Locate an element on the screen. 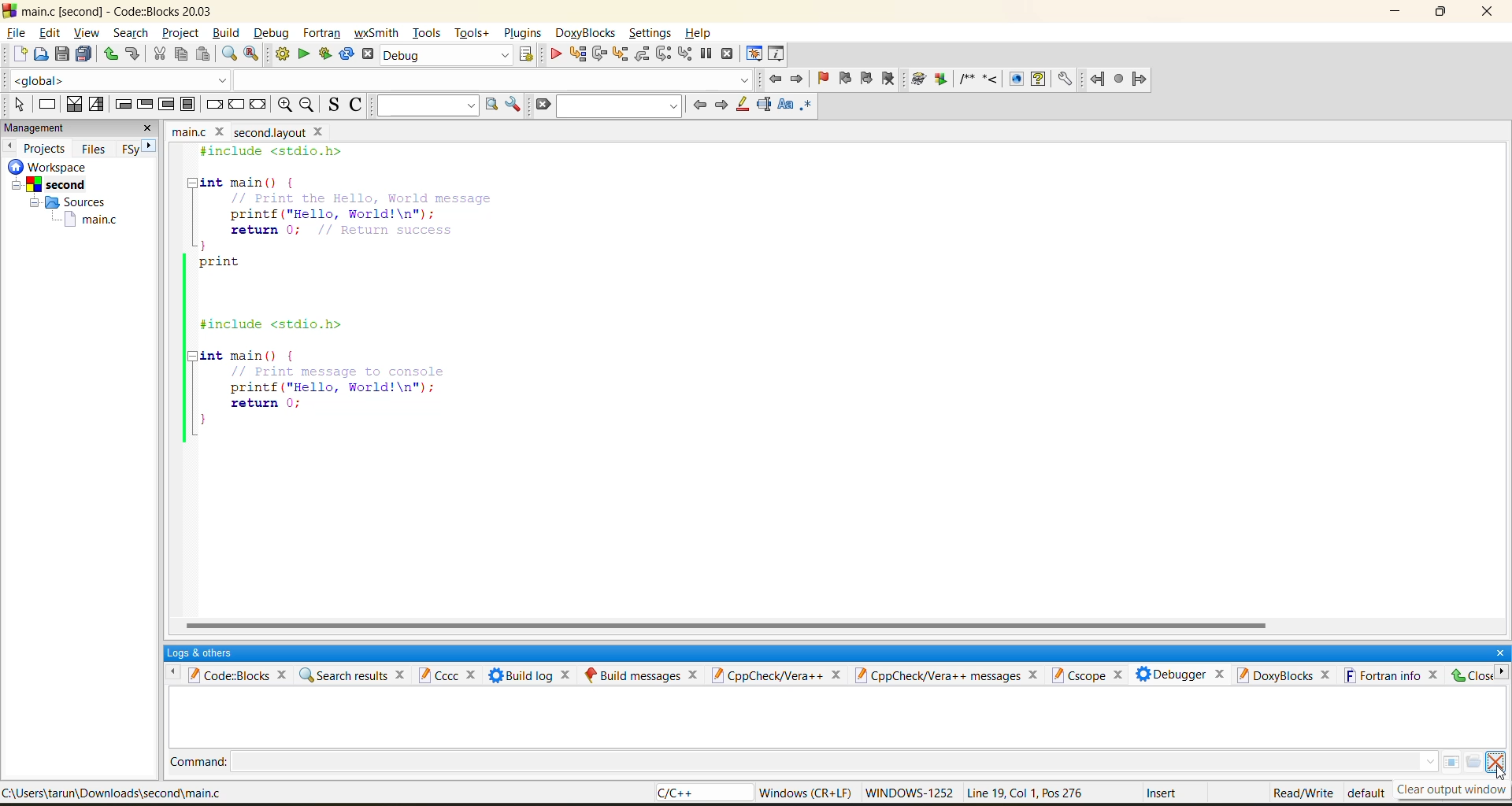 This screenshot has height=806, width=1512. debugging console cleared is located at coordinates (818, 722).